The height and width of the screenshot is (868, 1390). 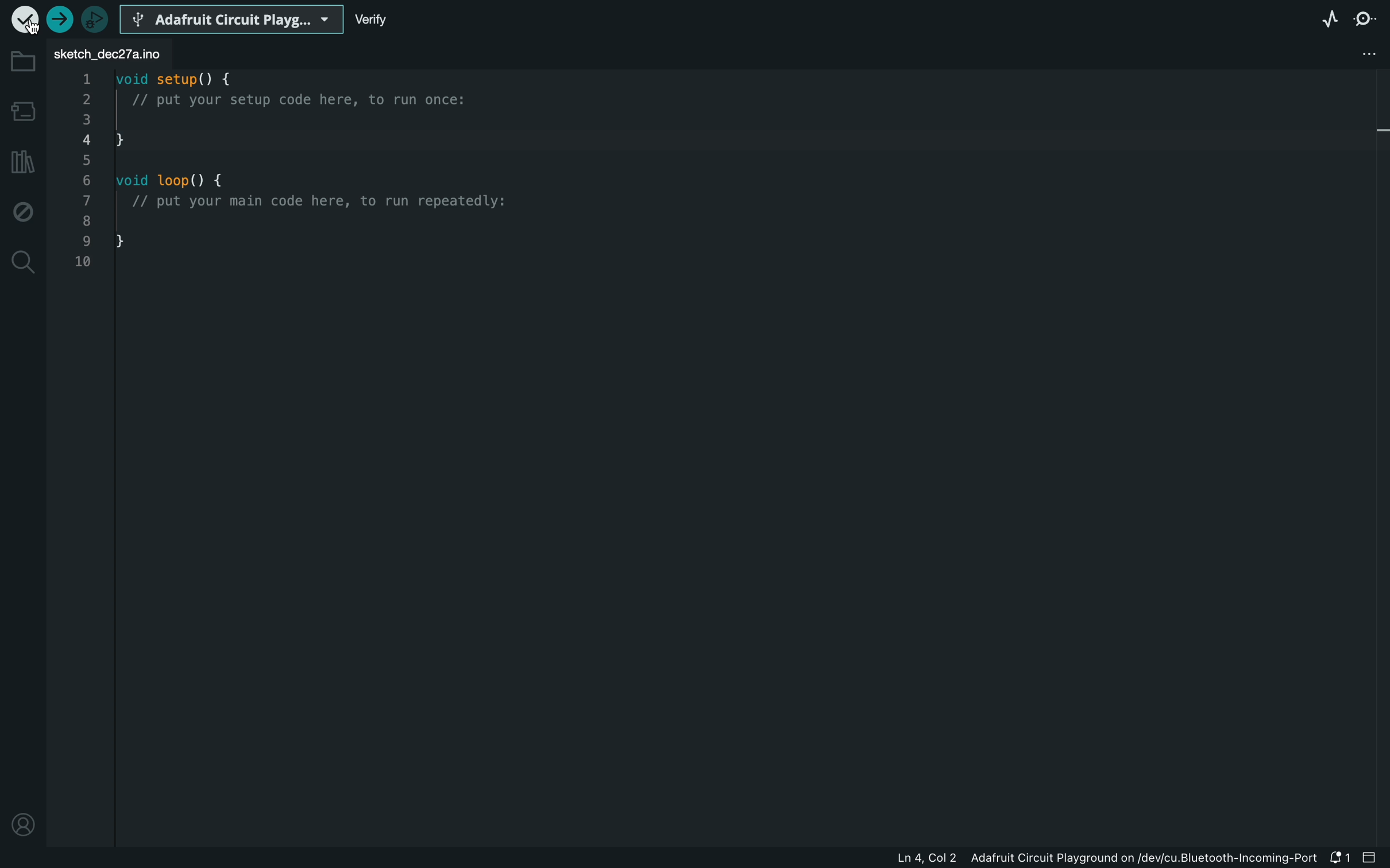 What do you see at coordinates (315, 180) in the screenshot?
I see `code` at bounding box center [315, 180].